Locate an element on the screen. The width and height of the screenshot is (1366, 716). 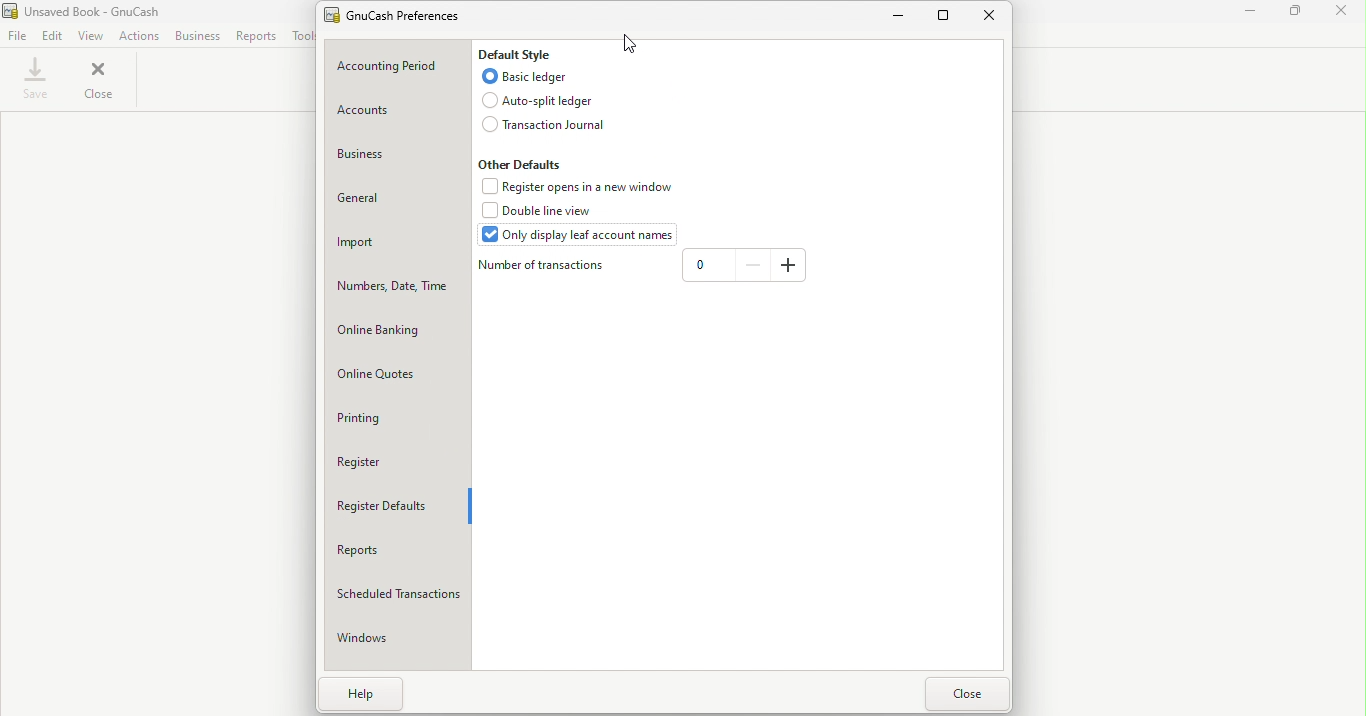
General is located at coordinates (398, 202).